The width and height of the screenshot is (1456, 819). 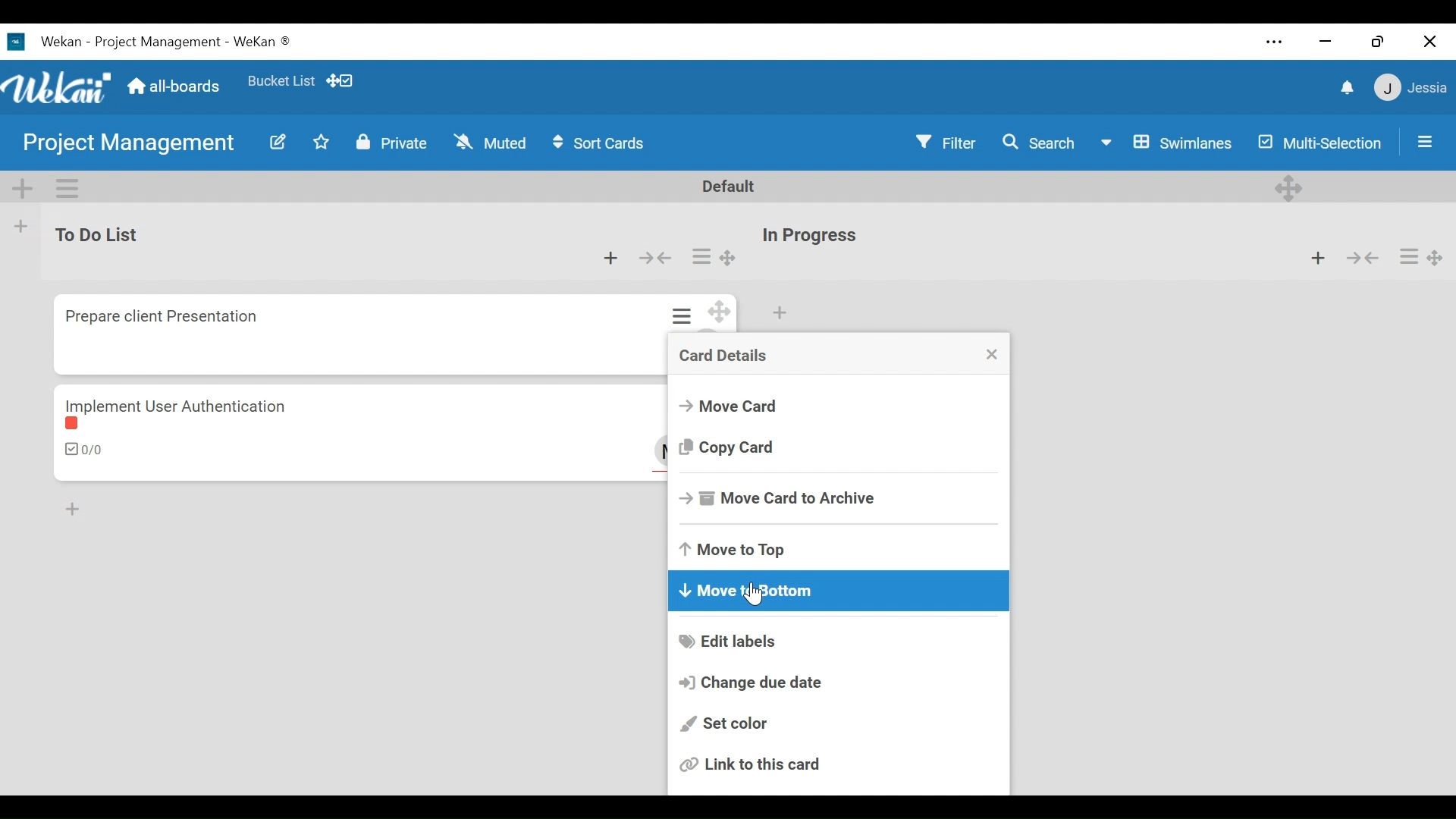 What do you see at coordinates (750, 682) in the screenshot?
I see `Change due date` at bounding box center [750, 682].